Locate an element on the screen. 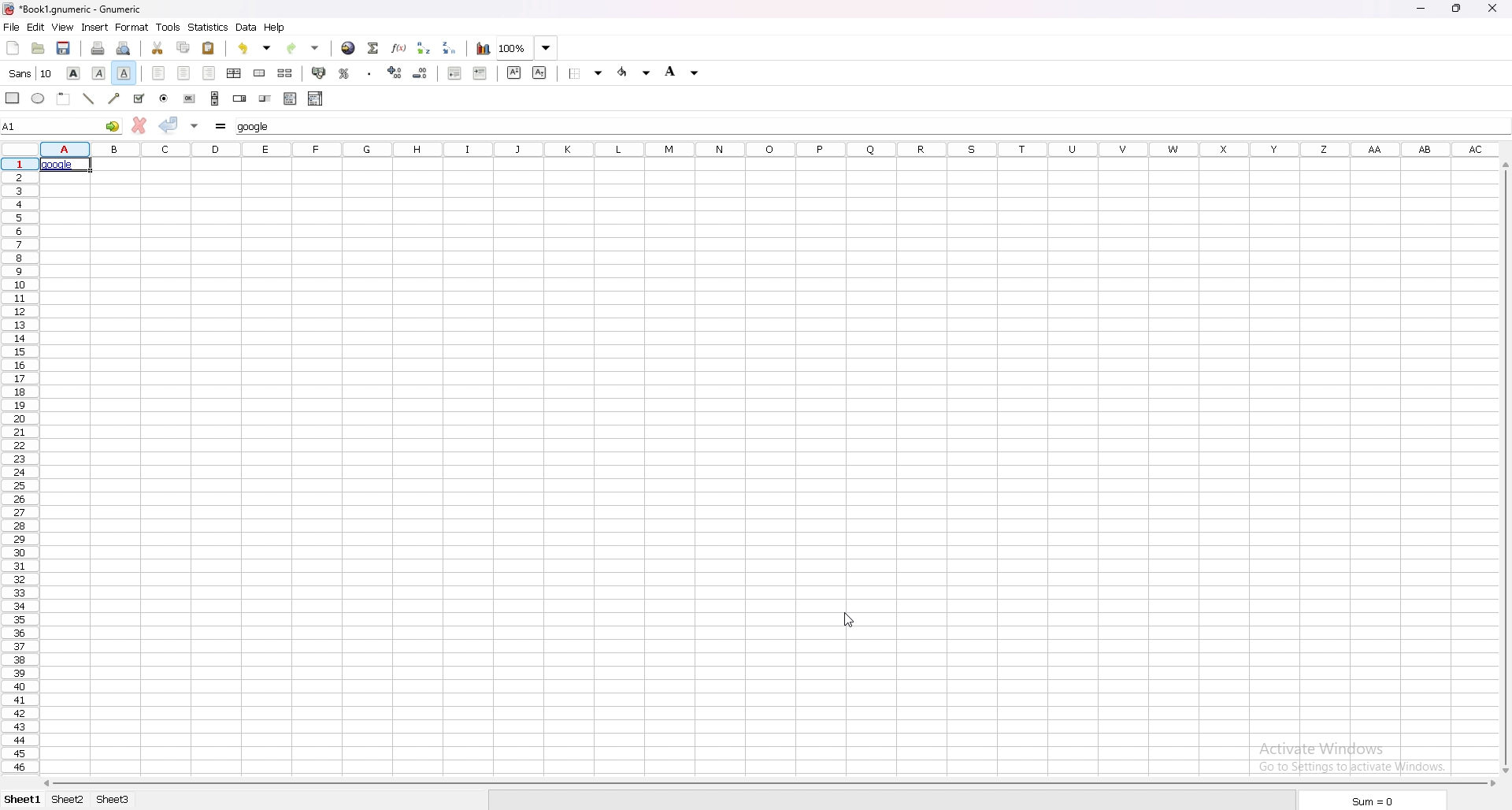 The image size is (1512, 810). new is located at coordinates (13, 48).